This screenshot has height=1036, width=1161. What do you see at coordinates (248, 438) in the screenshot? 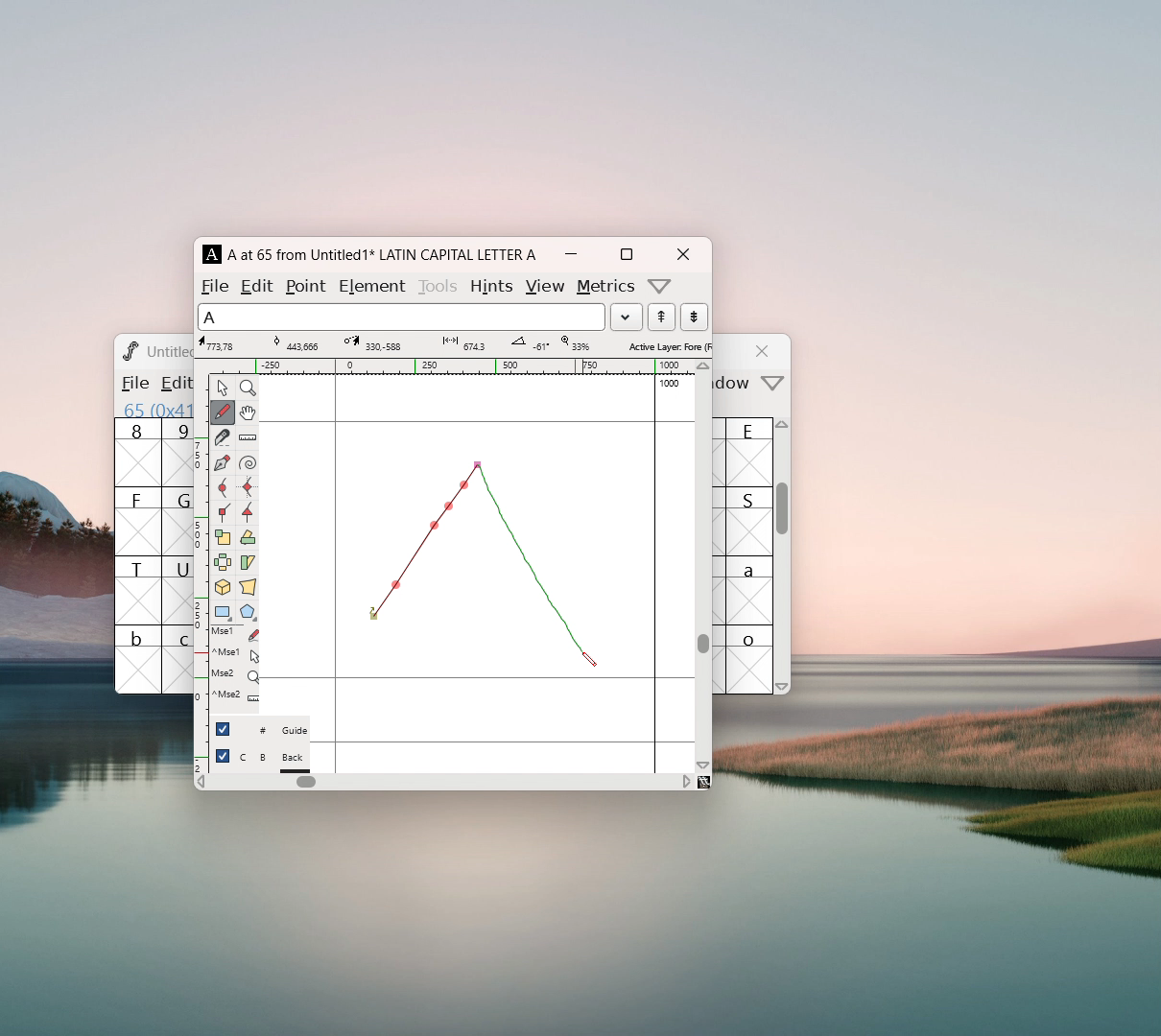
I see `measure distance, angle between points` at bounding box center [248, 438].